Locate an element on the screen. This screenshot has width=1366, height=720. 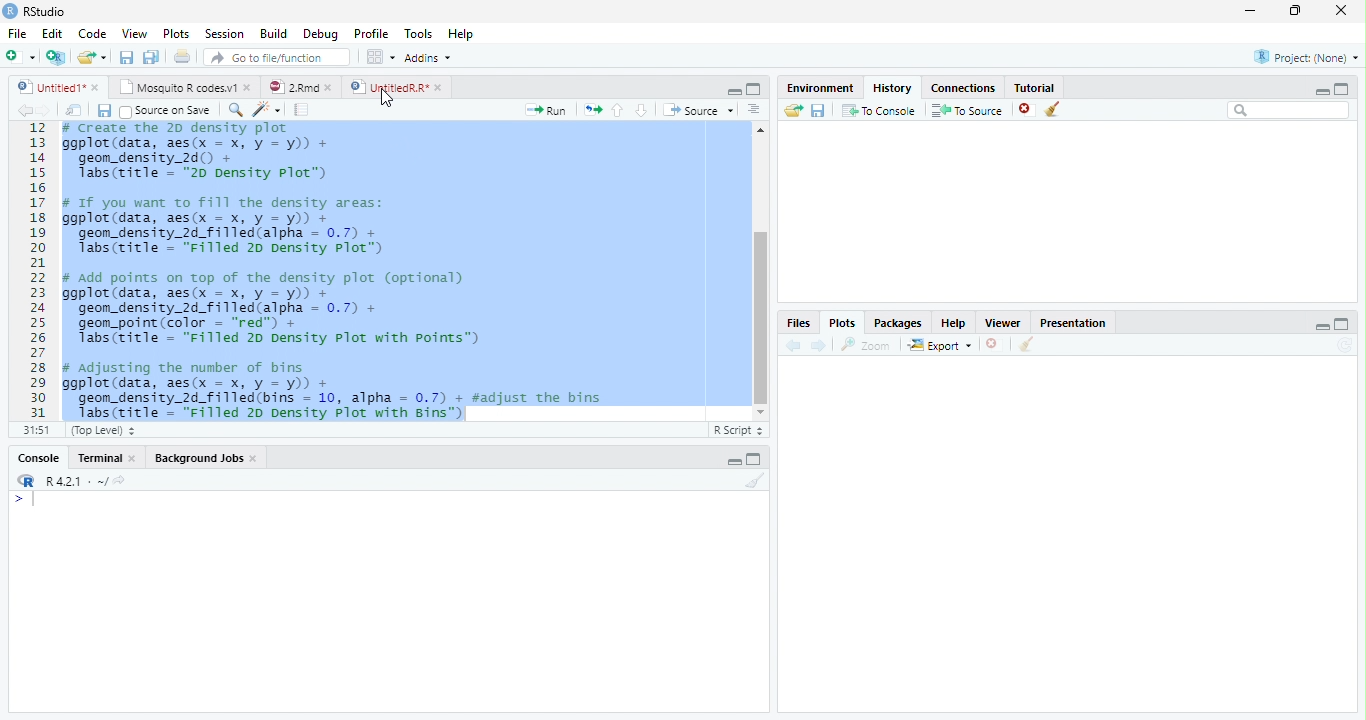
' RStudio is located at coordinates (34, 12).